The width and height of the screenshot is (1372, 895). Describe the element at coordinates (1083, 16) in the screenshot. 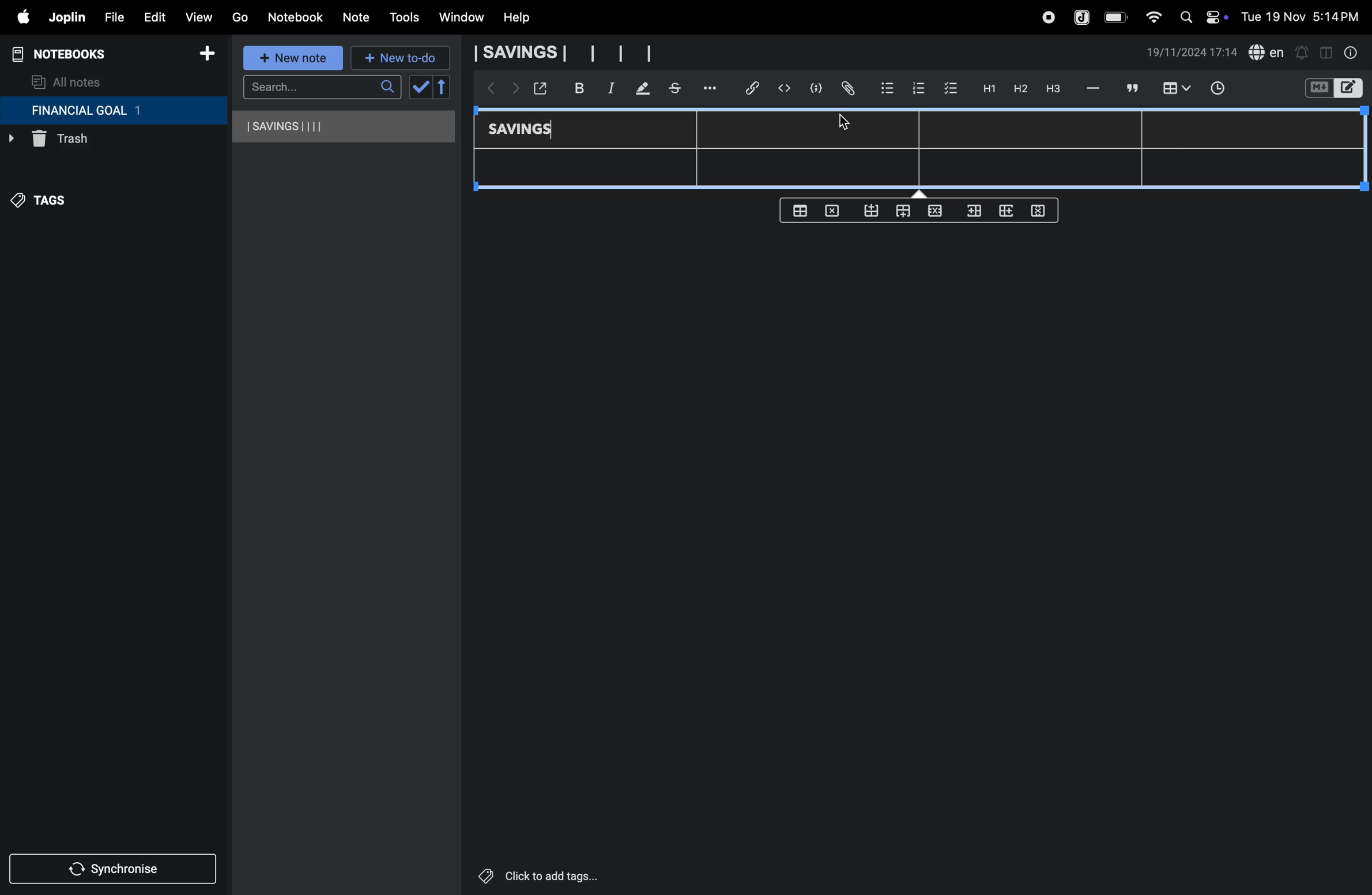

I see `joplin` at that location.